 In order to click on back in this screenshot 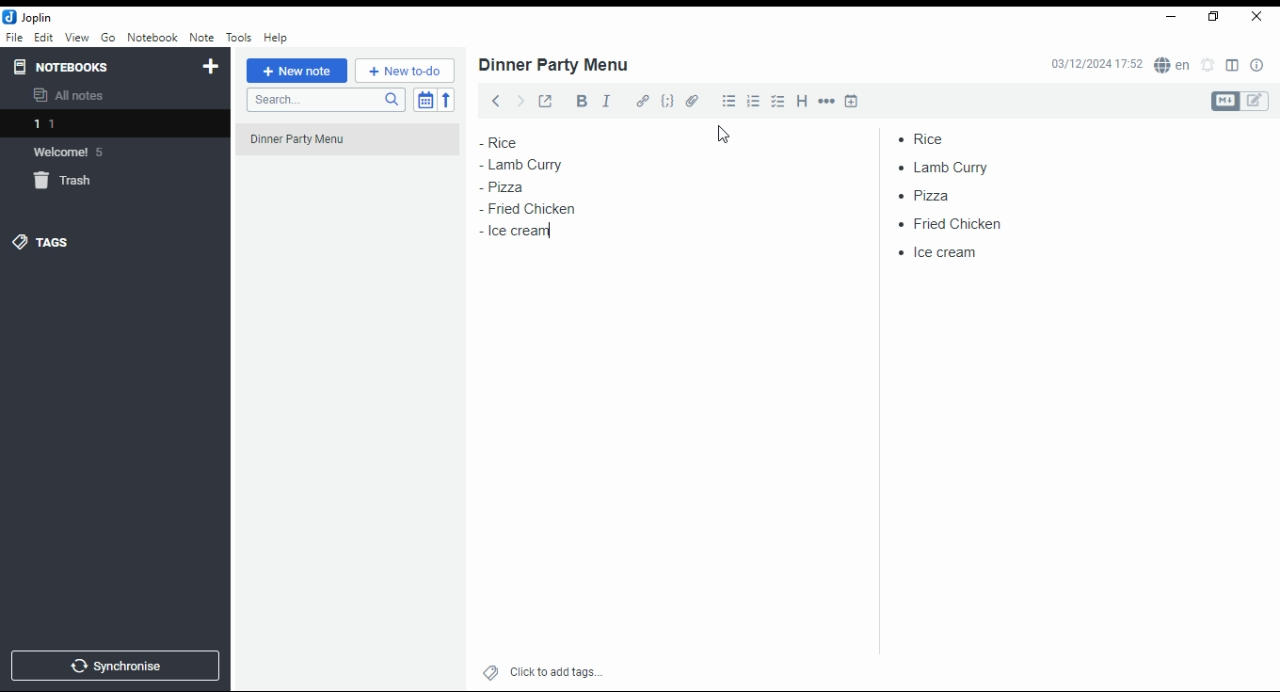, I will do `click(492, 99)`.